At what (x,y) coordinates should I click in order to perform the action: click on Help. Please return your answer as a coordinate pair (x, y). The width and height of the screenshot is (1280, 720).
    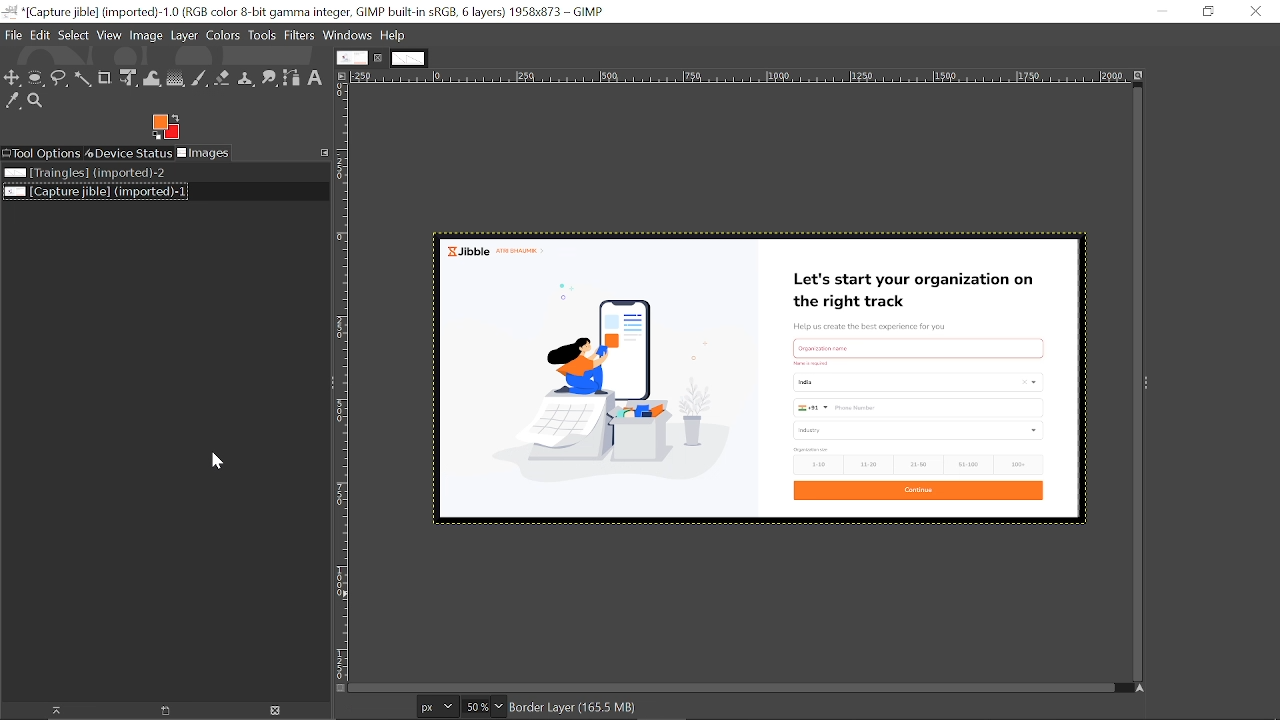
    Looking at the image, I should click on (393, 35).